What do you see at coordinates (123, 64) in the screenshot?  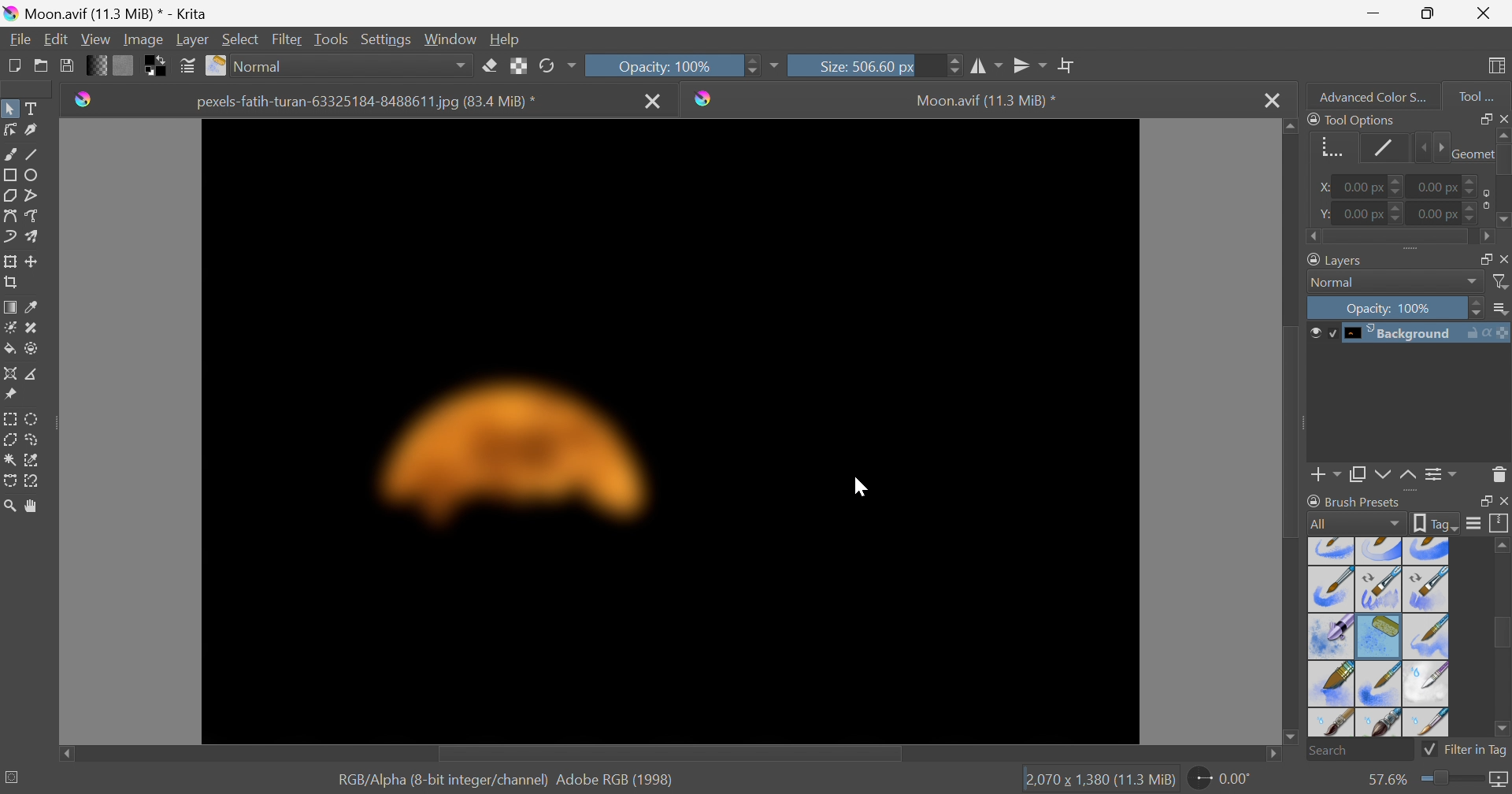 I see `Fill patterns` at bounding box center [123, 64].